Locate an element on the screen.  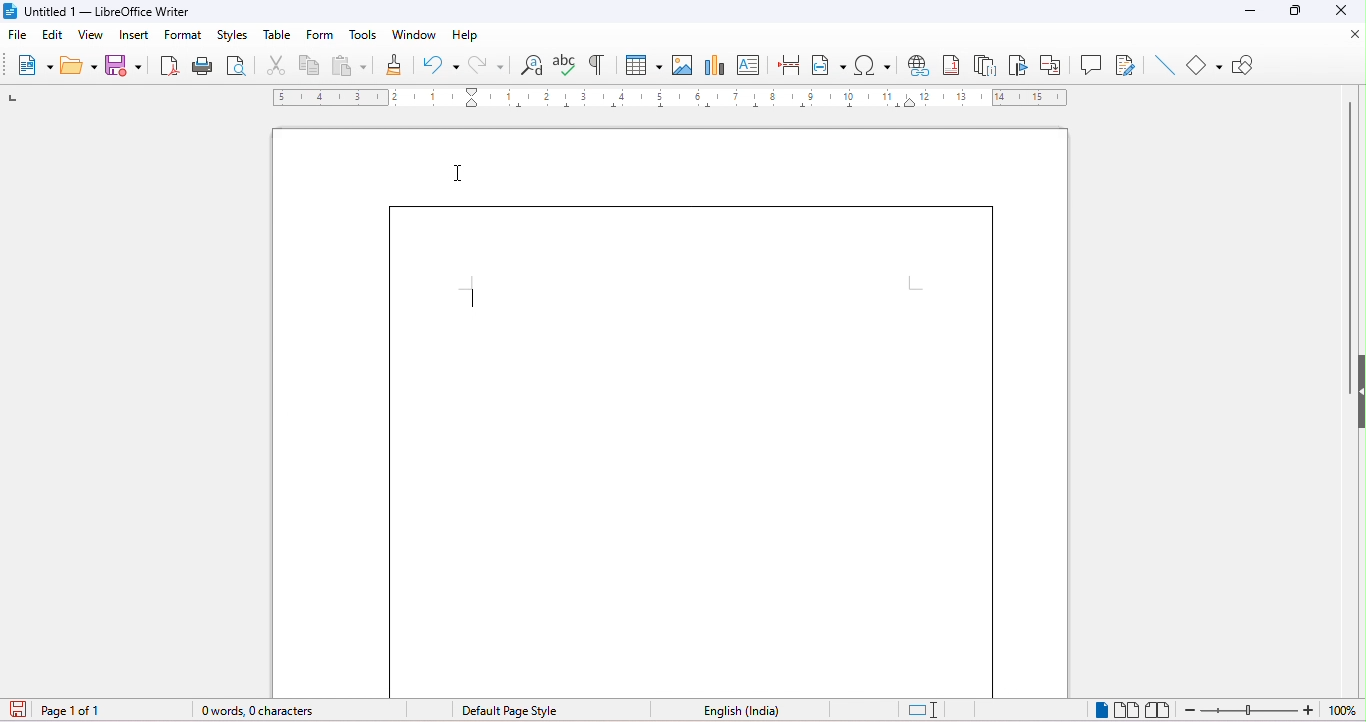
line is located at coordinates (1162, 64).